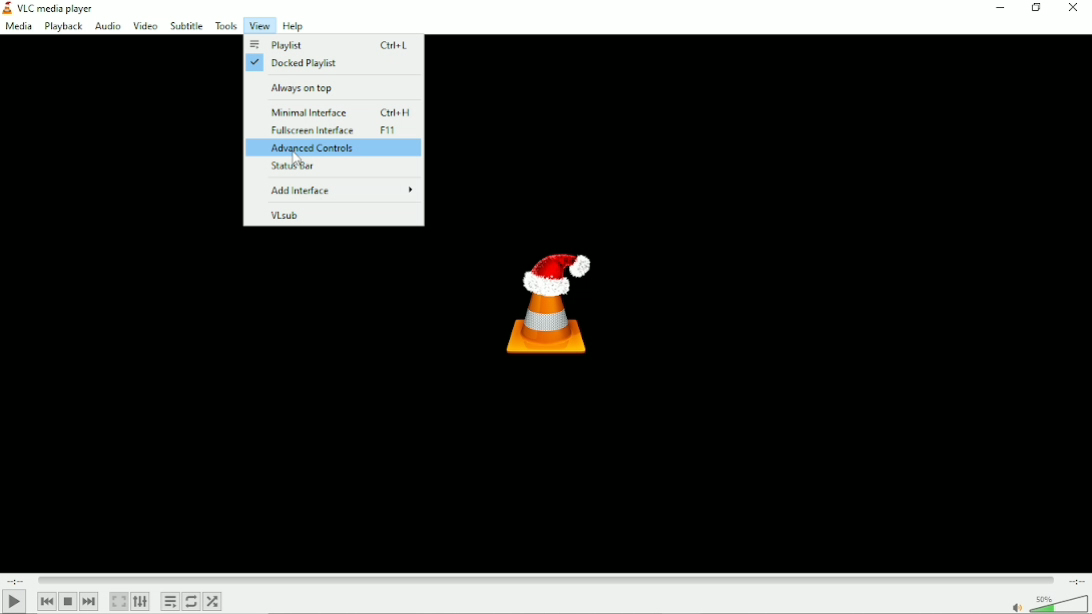 The width and height of the screenshot is (1092, 614). Describe the element at coordinates (107, 27) in the screenshot. I see `Audio` at that location.